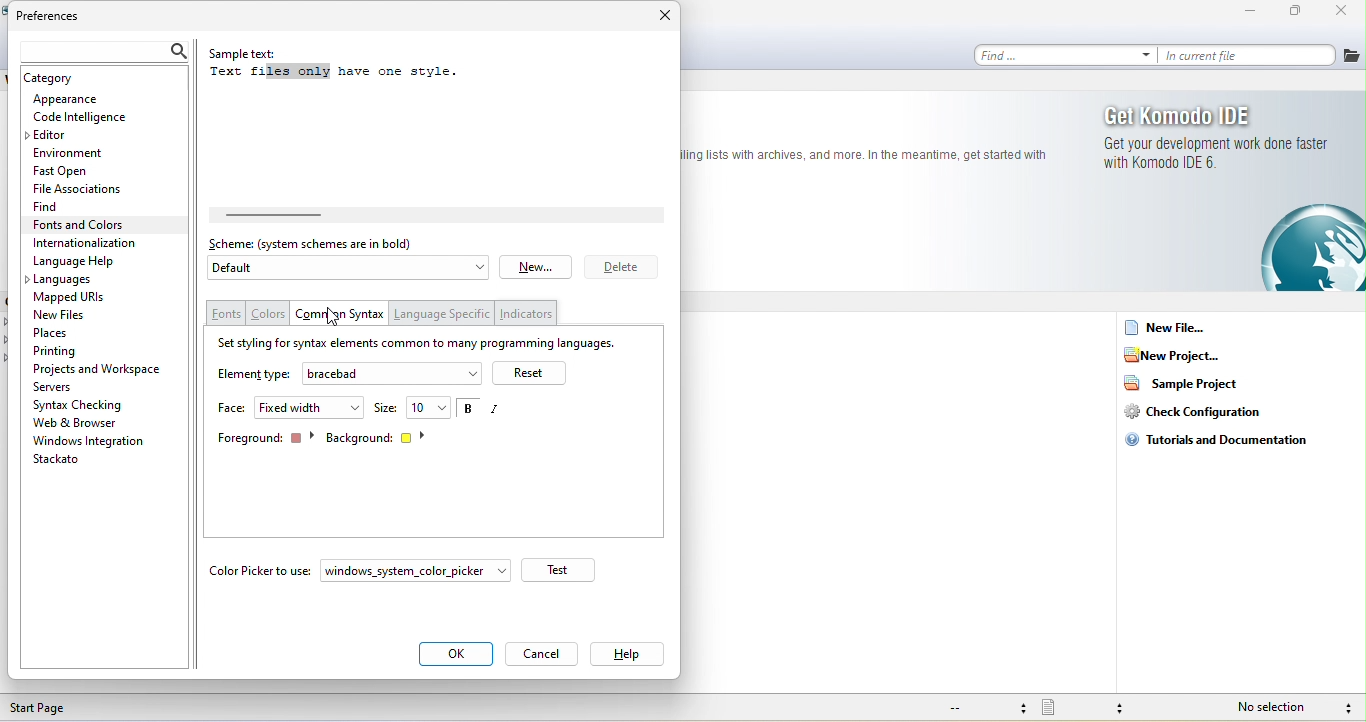 The image size is (1366, 722). Describe the element at coordinates (467, 410) in the screenshot. I see `bold` at that location.